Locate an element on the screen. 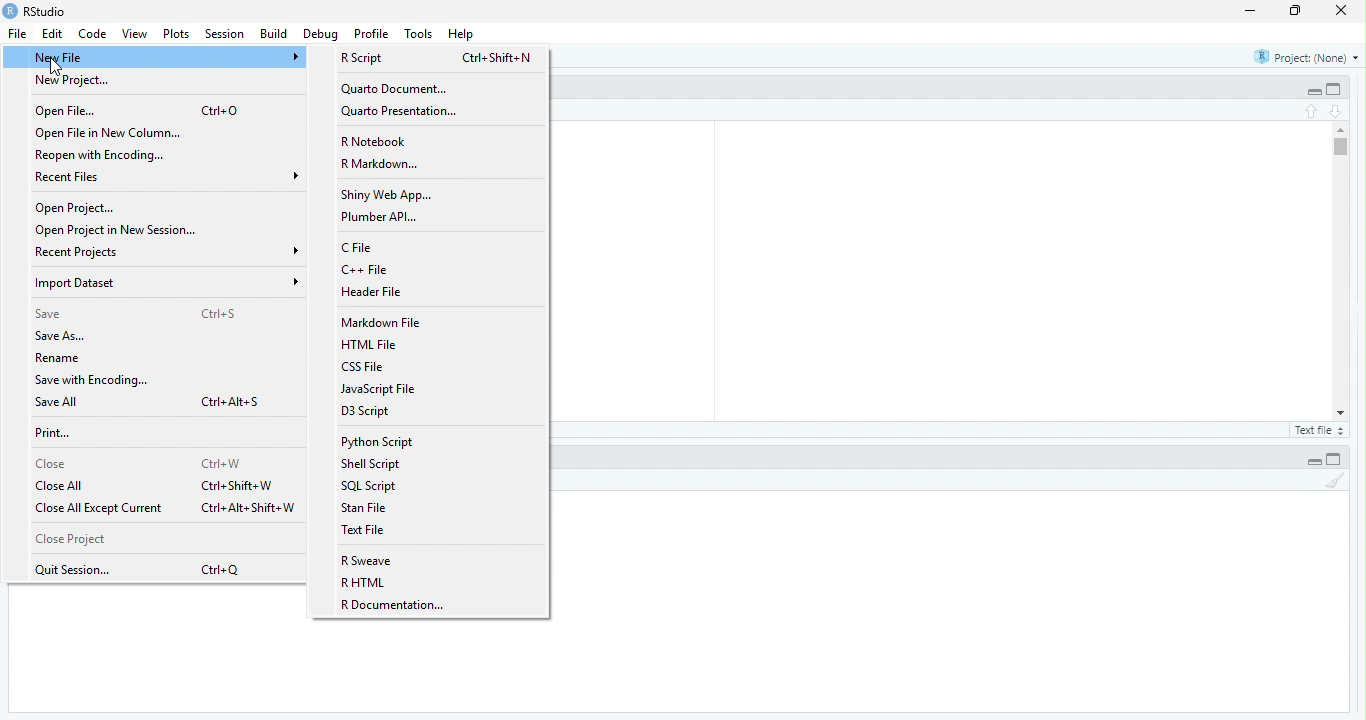 This screenshot has width=1366, height=720. Recent Projects is located at coordinates (169, 251).